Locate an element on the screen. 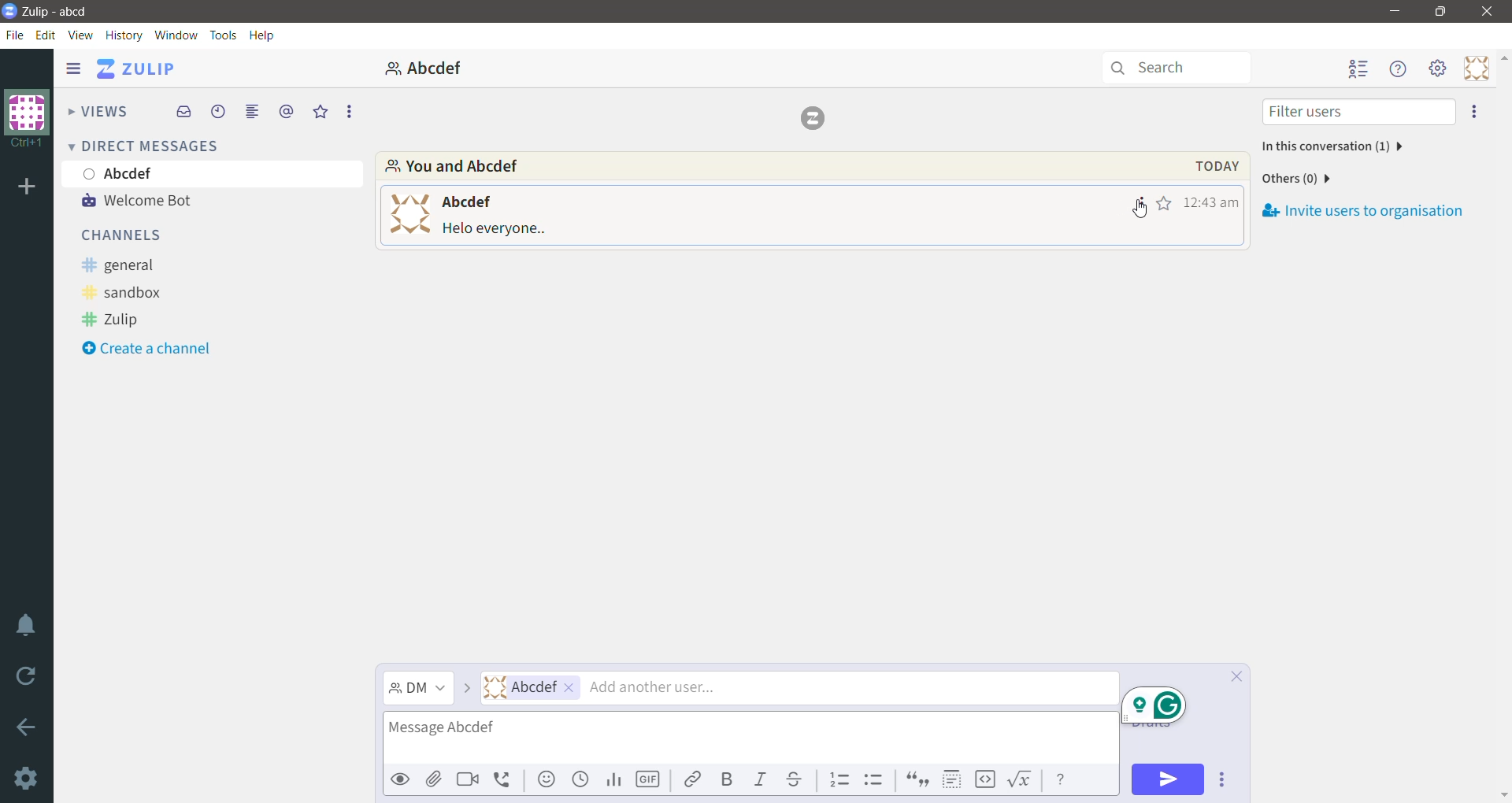 The image size is (1512, 803). Application is located at coordinates (136, 68).